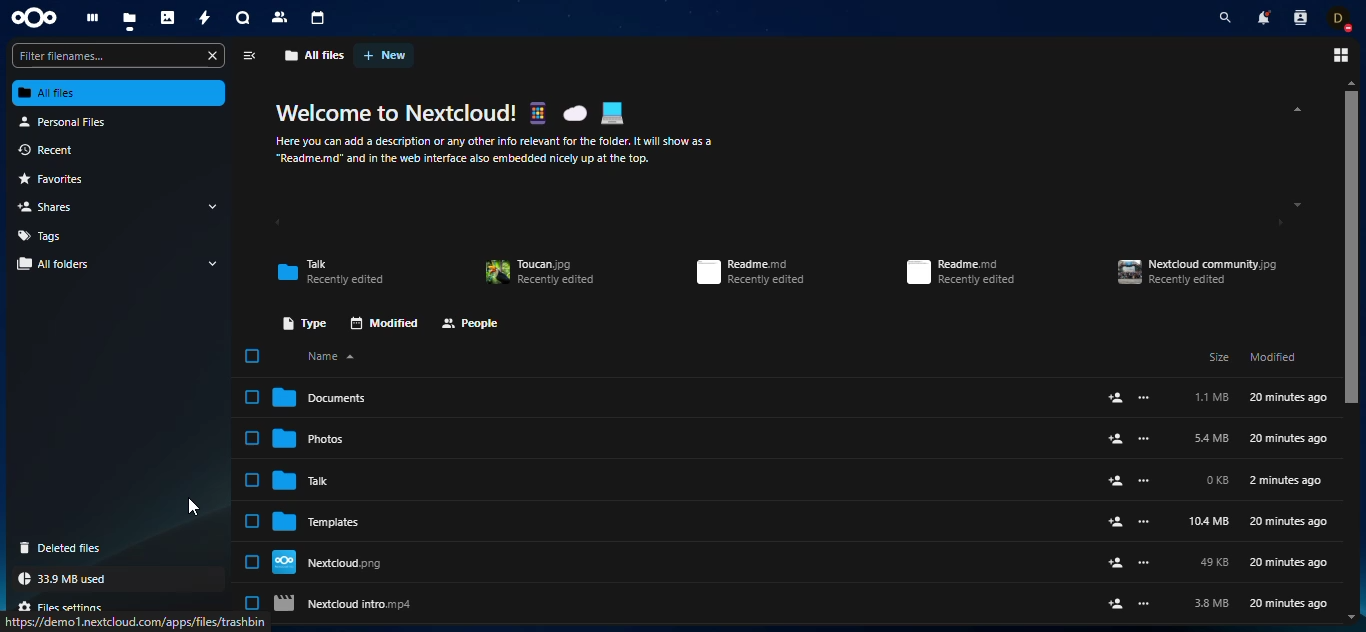 The image size is (1366, 632). I want to click on Files, so click(129, 20).